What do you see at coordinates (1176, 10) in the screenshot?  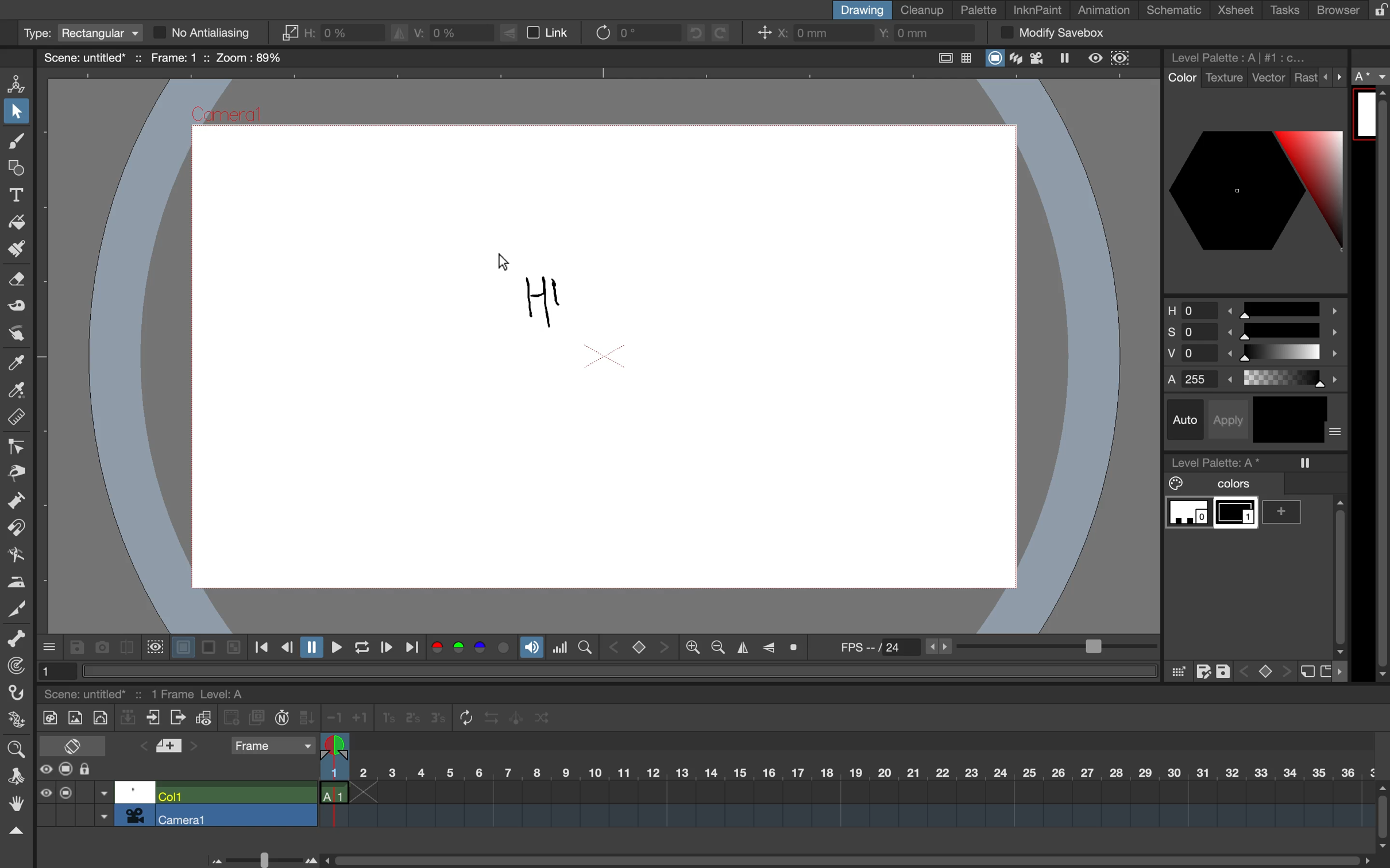 I see `schematic` at bounding box center [1176, 10].